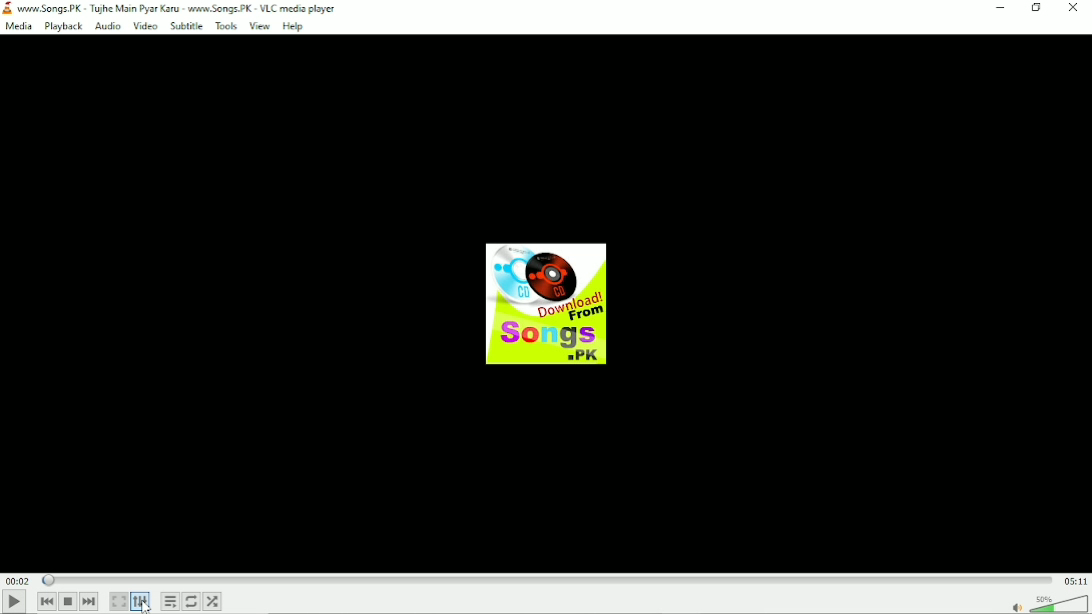 The width and height of the screenshot is (1092, 614). Describe the element at coordinates (141, 601) in the screenshot. I see `Show extended settings` at that location.